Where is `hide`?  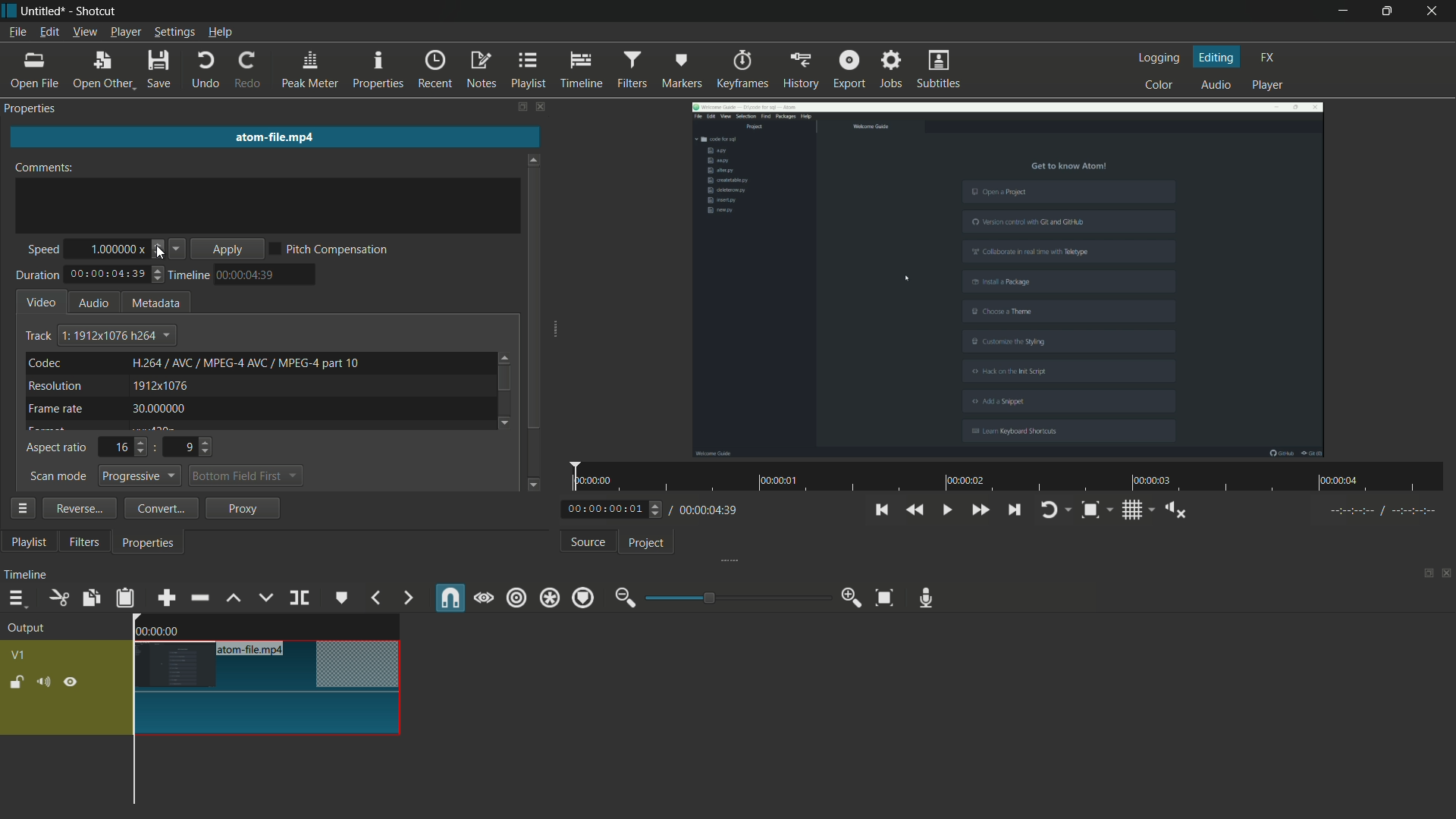
hide is located at coordinates (71, 683).